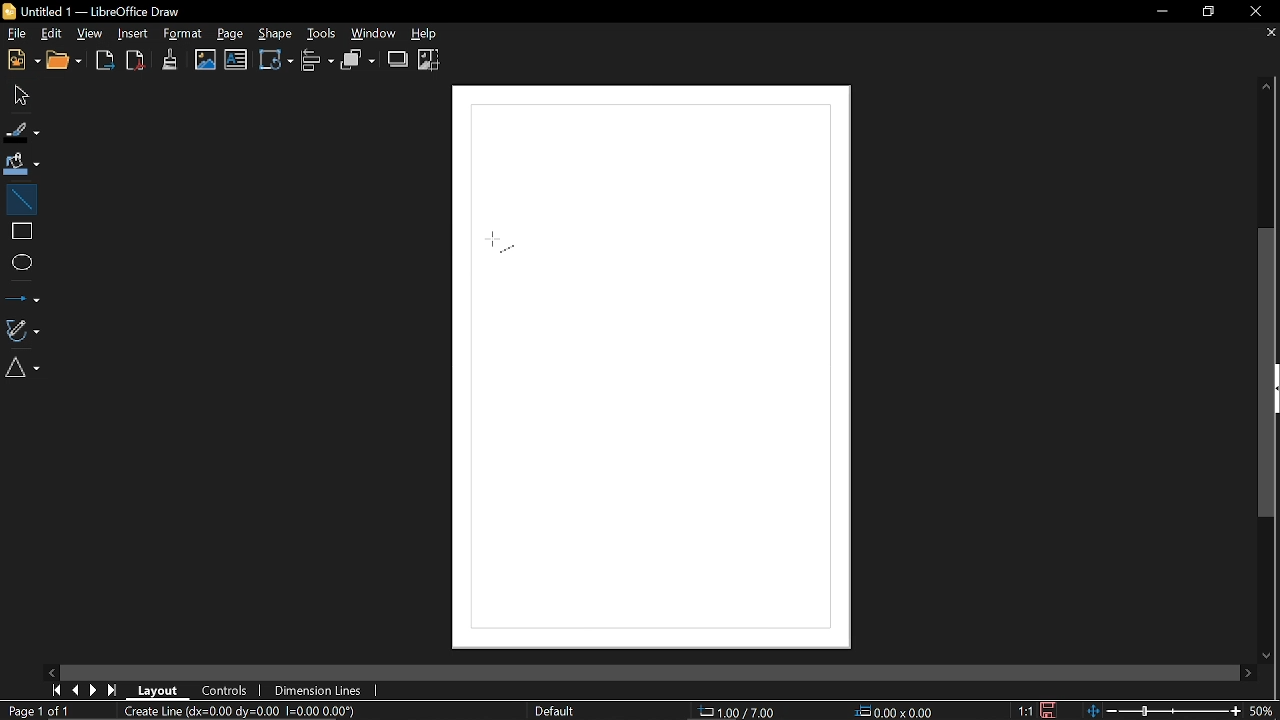 The image size is (1280, 720). What do you see at coordinates (56, 689) in the screenshot?
I see `First page` at bounding box center [56, 689].